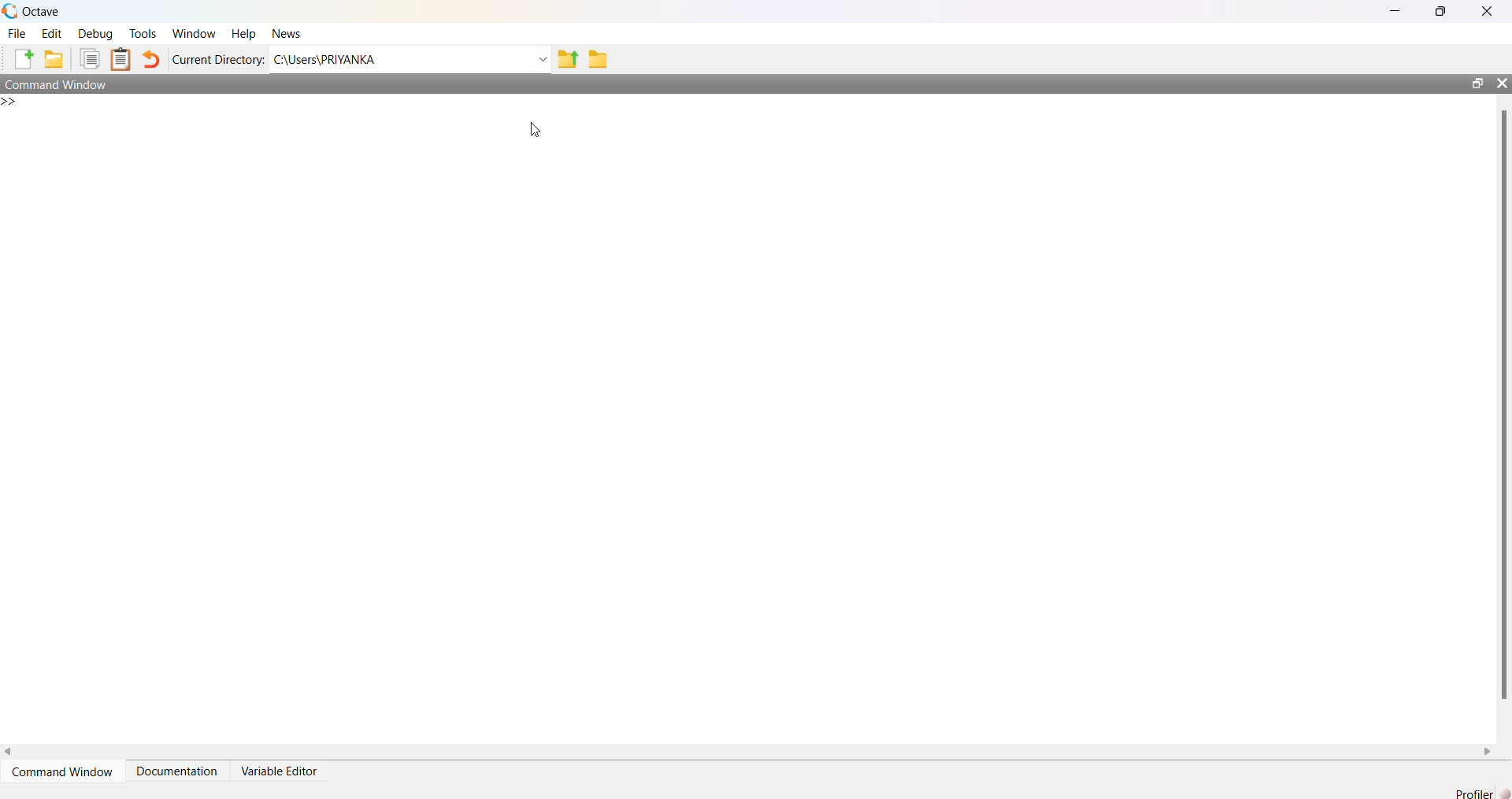  I want to click on cursor, so click(539, 132).